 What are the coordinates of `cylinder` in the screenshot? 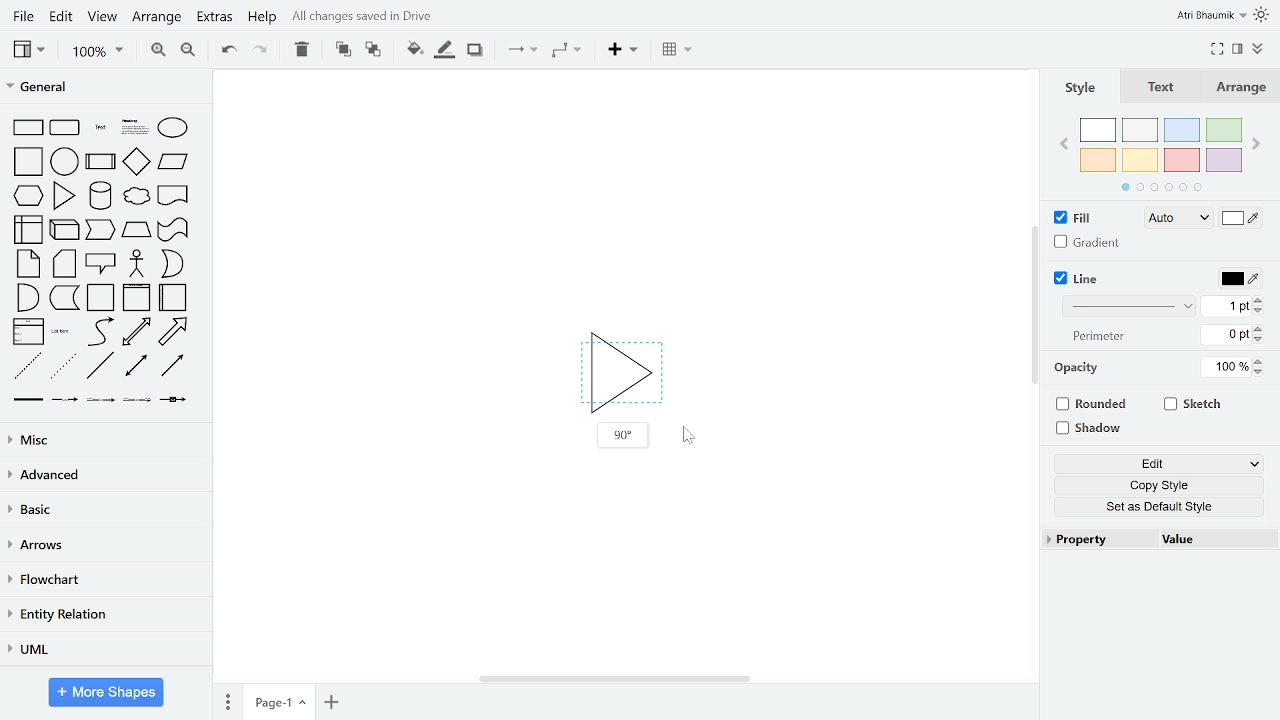 It's located at (100, 195).